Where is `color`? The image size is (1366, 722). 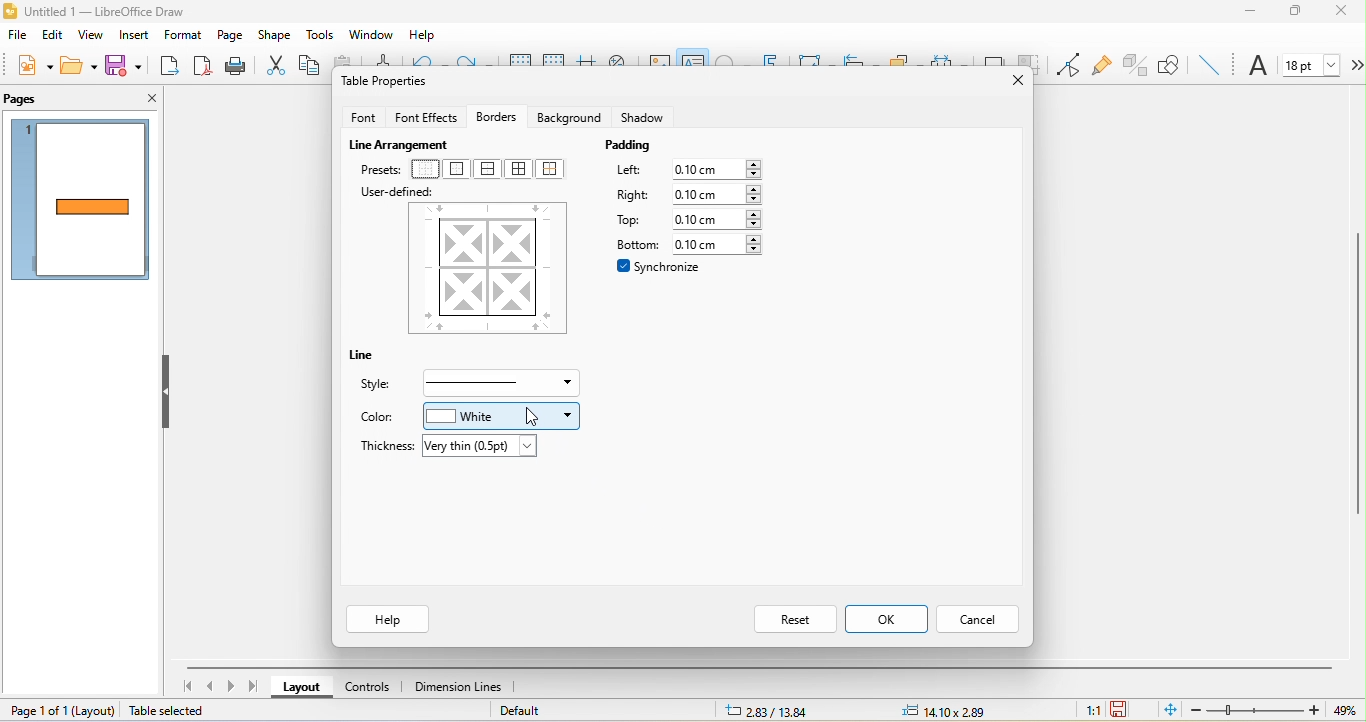 color is located at coordinates (378, 419).